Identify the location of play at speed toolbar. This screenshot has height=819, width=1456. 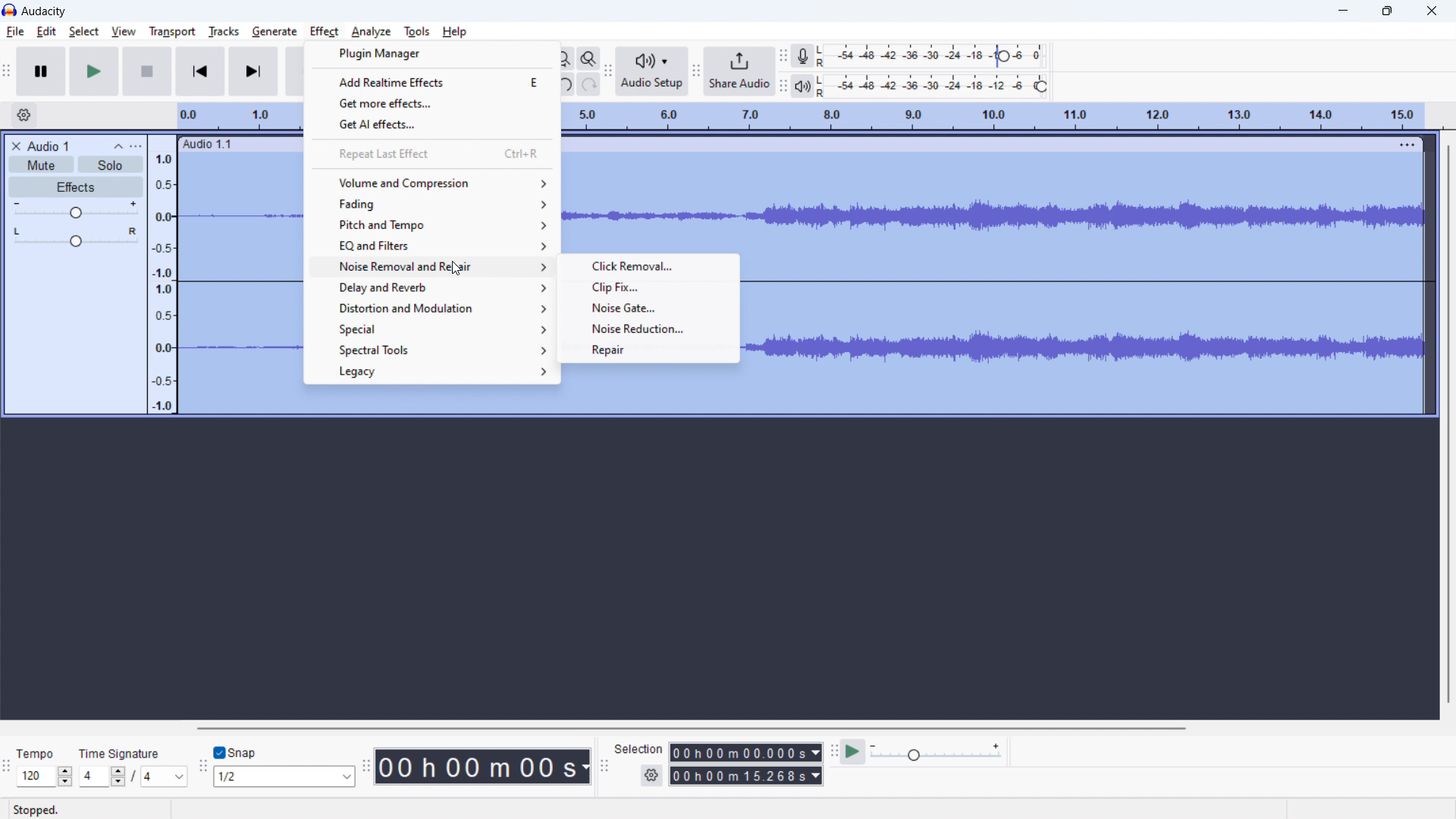
(833, 751).